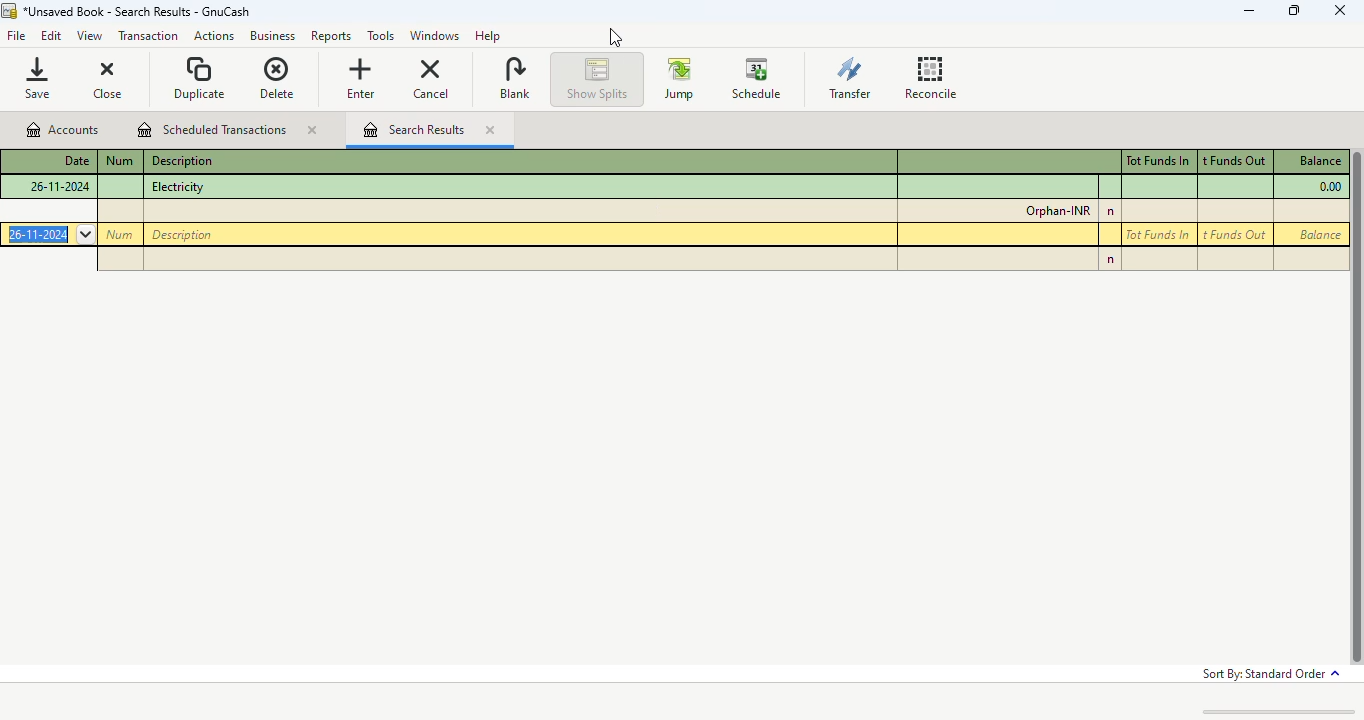 The height and width of the screenshot is (720, 1364). Describe the element at coordinates (212, 129) in the screenshot. I see `scheduled transactions` at that location.